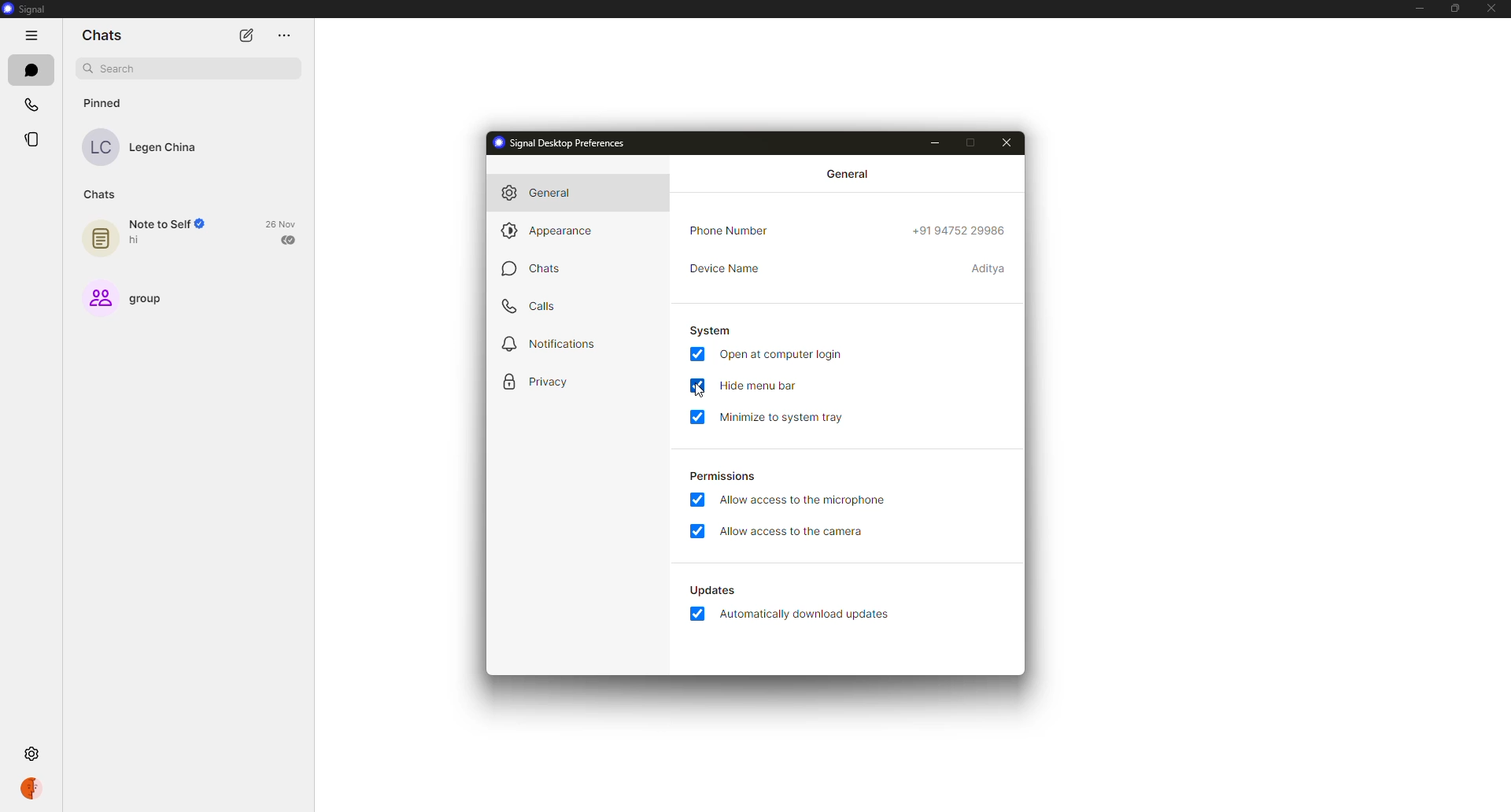 The width and height of the screenshot is (1511, 812). What do you see at coordinates (551, 343) in the screenshot?
I see `notifications` at bounding box center [551, 343].